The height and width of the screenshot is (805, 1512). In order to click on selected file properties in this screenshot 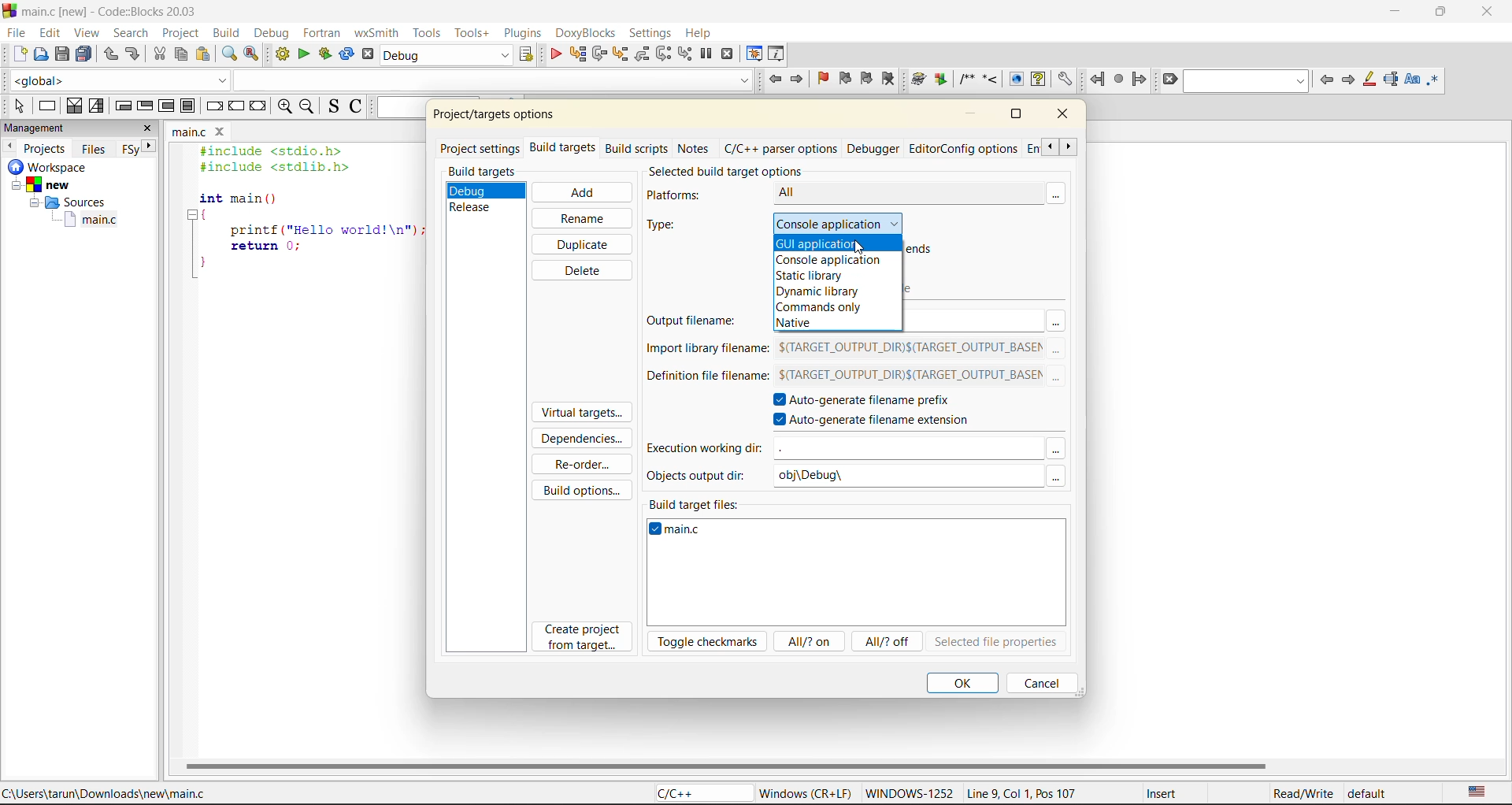, I will do `click(1001, 642)`.